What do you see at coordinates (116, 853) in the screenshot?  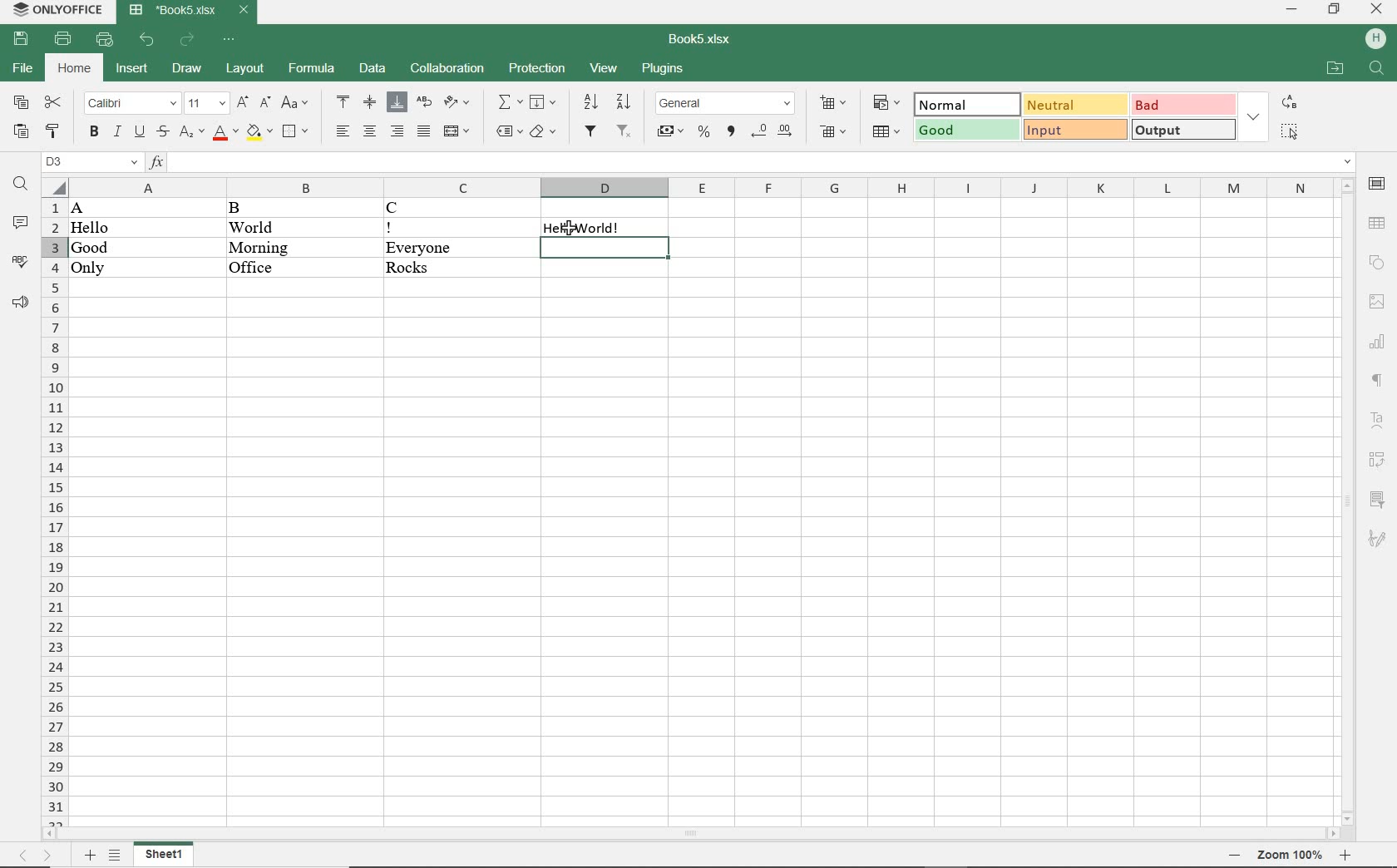 I see `List Sheets` at bounding box center [116, 853].